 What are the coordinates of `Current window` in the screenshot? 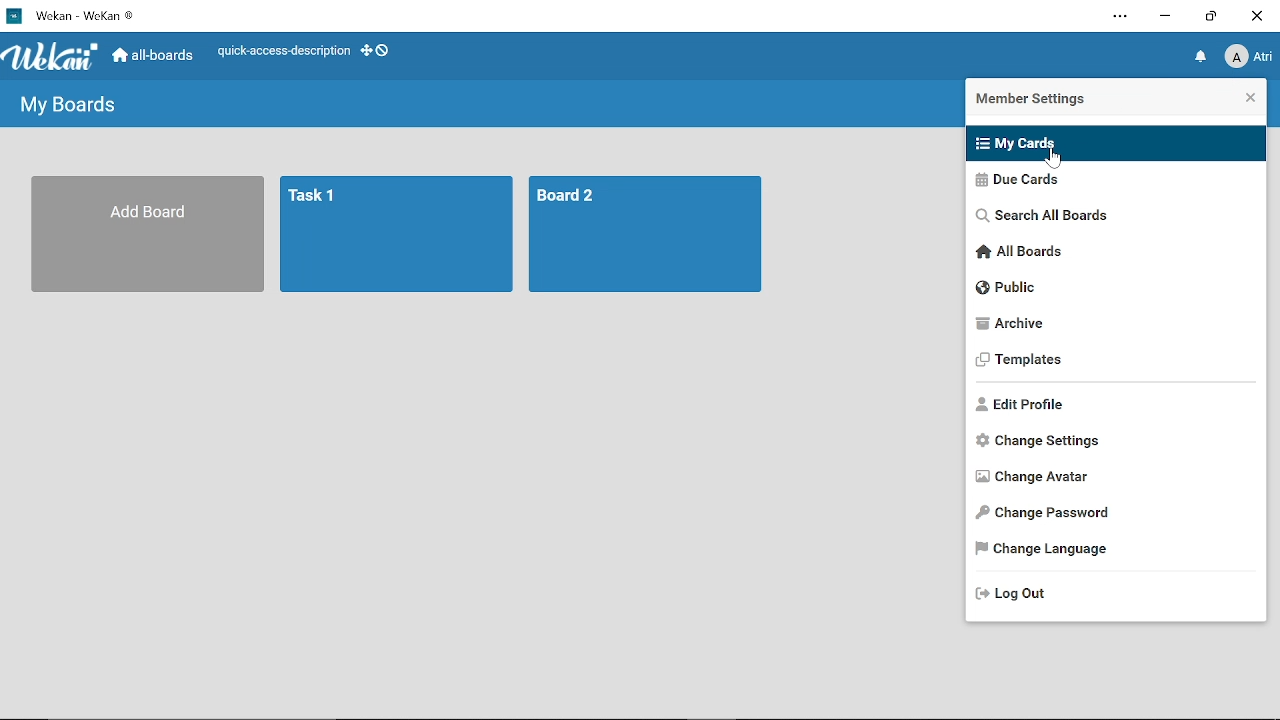 It's located at (78, 15).